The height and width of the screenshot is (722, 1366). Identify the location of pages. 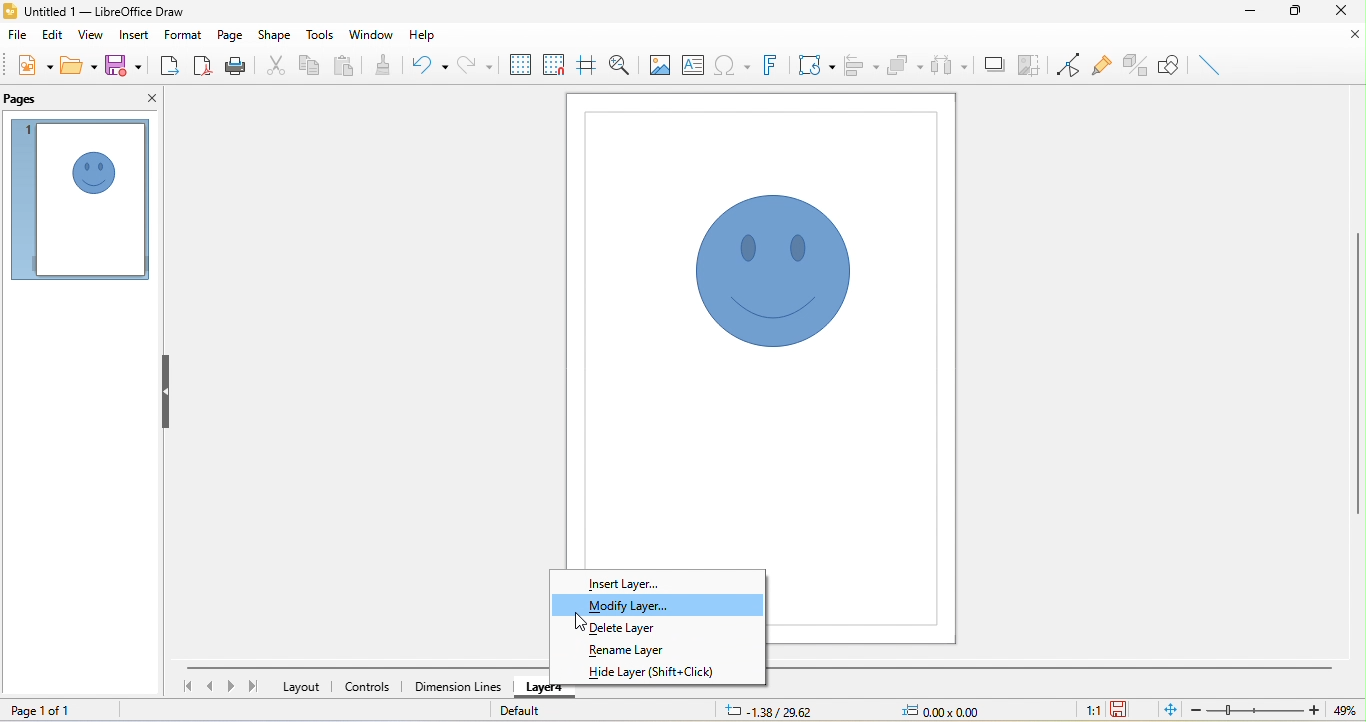
(29, 99).